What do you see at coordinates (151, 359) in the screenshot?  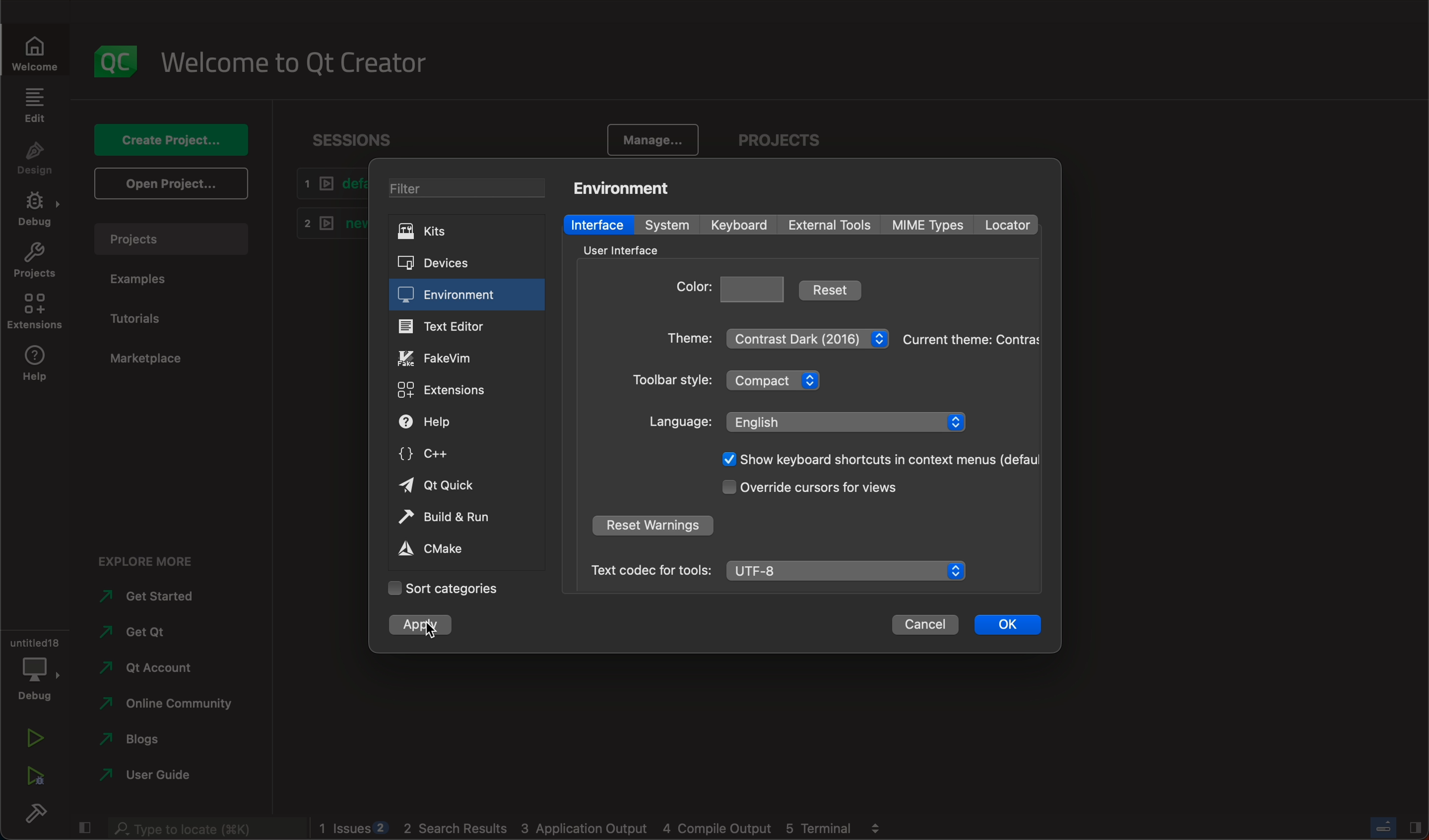 I see `marketplace` at bounding box center [151, 359].